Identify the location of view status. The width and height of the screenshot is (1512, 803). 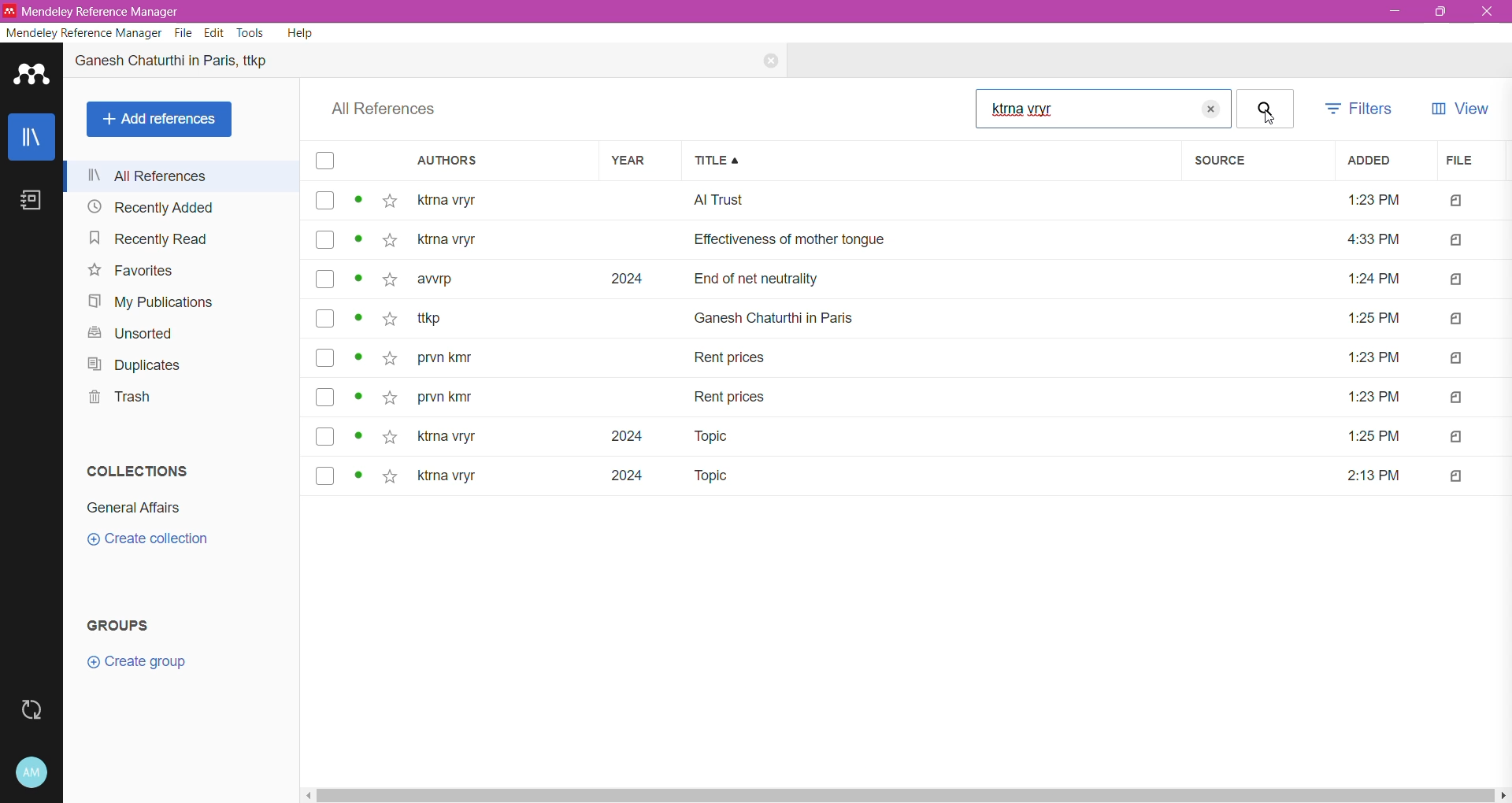
(360, 358).